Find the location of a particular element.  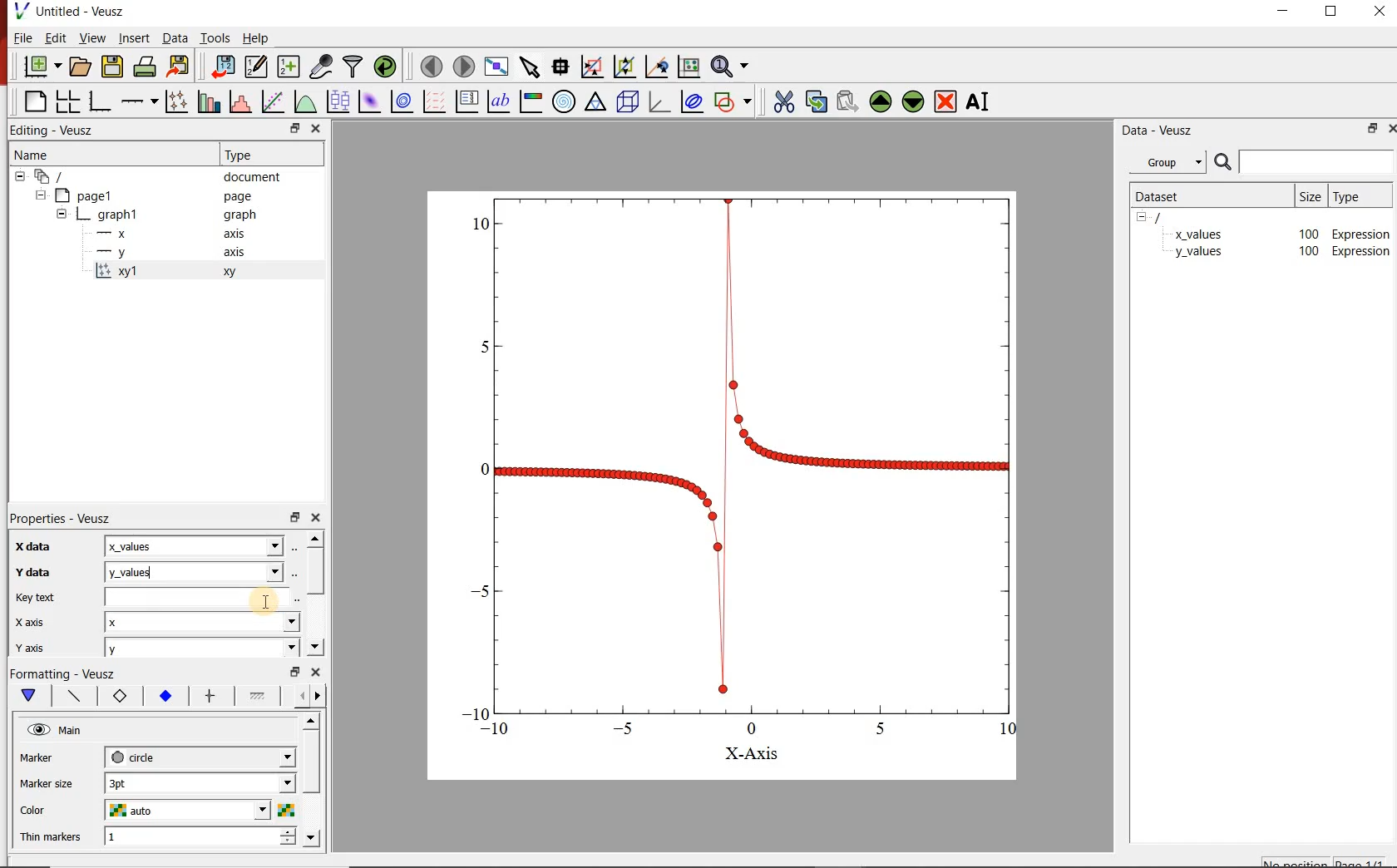

close is located at coordinates (317, 128).